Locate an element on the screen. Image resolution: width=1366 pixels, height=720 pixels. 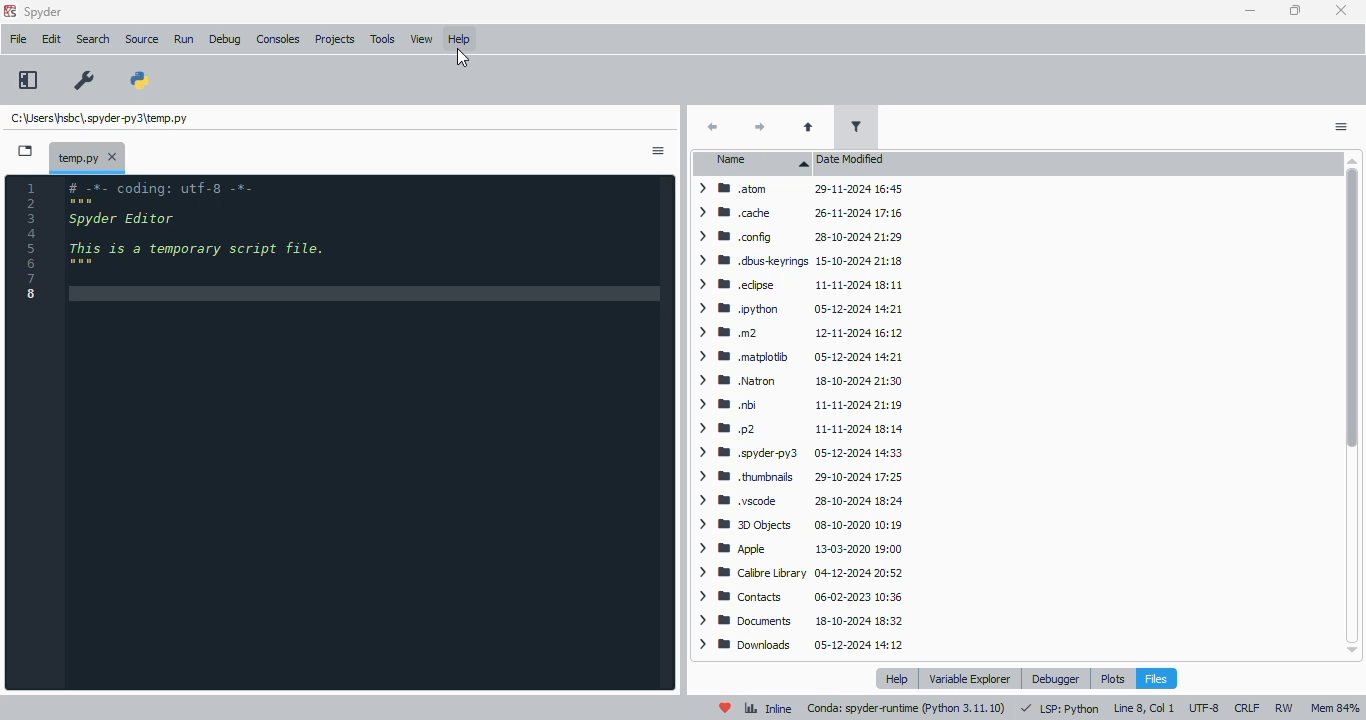
line numbers is located at coordinates (33, 241).